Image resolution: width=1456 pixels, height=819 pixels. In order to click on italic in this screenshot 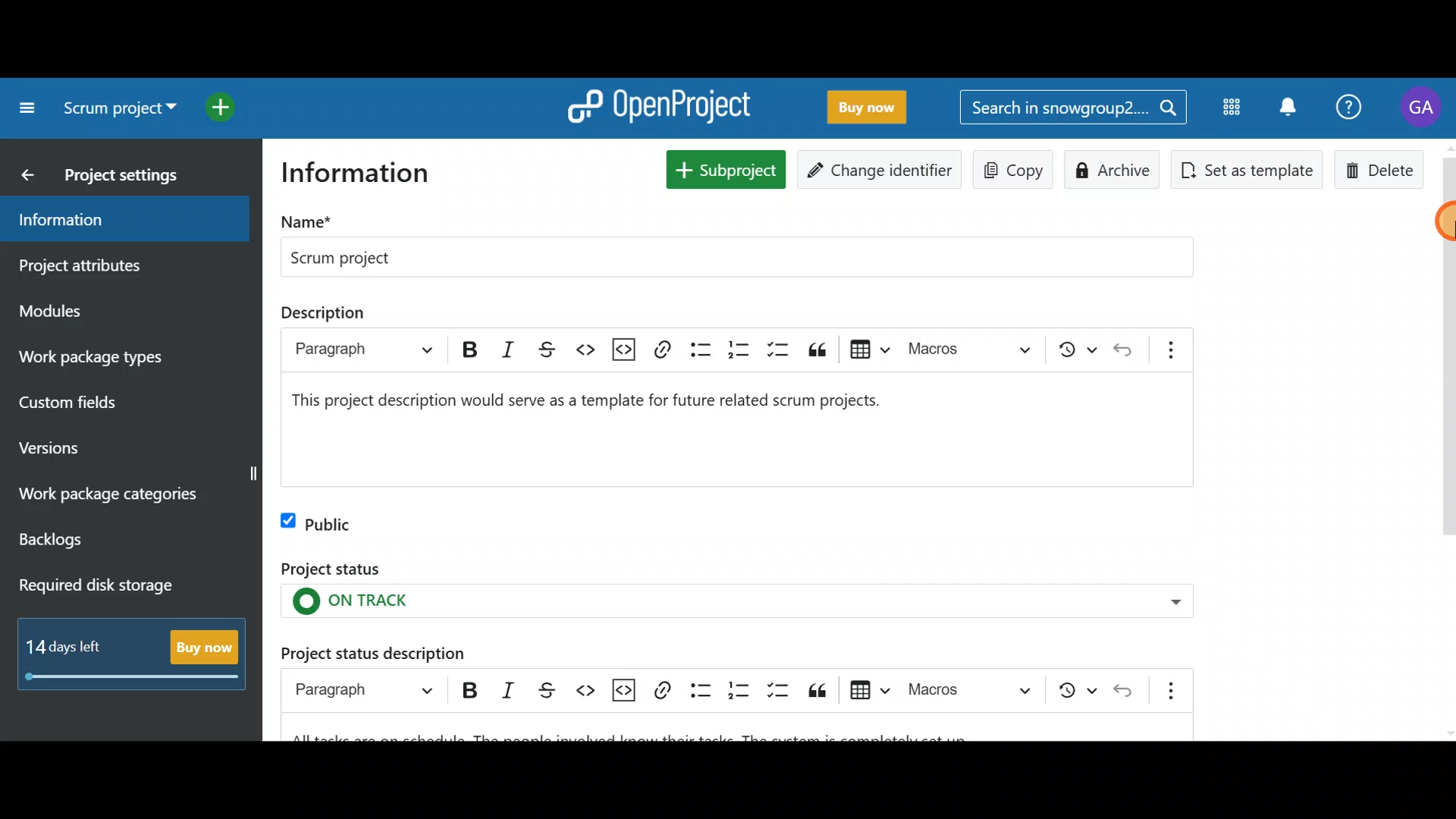, I will do `click(507, 349)`.